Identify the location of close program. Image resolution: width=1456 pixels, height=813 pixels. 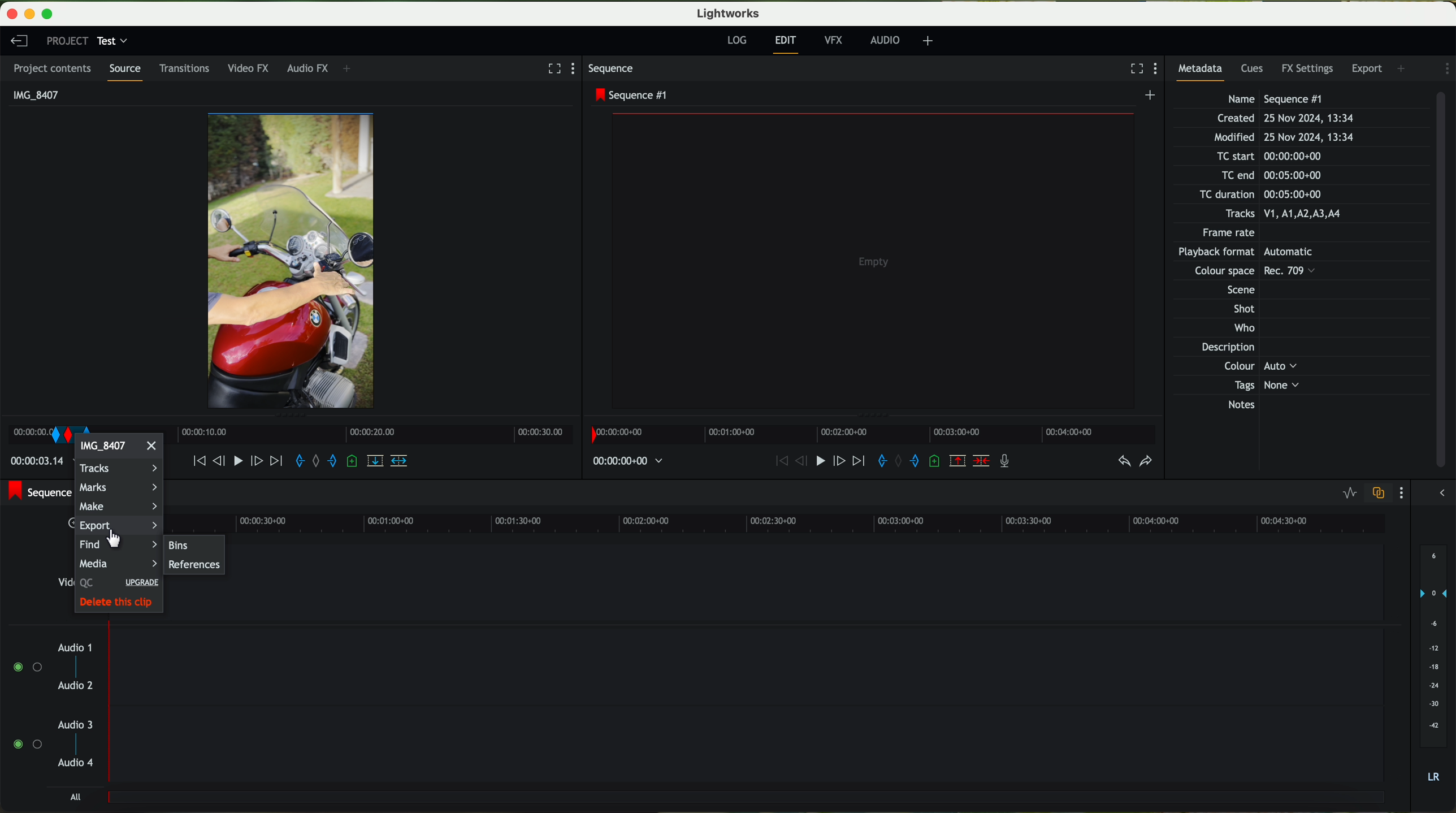
(10, 14).